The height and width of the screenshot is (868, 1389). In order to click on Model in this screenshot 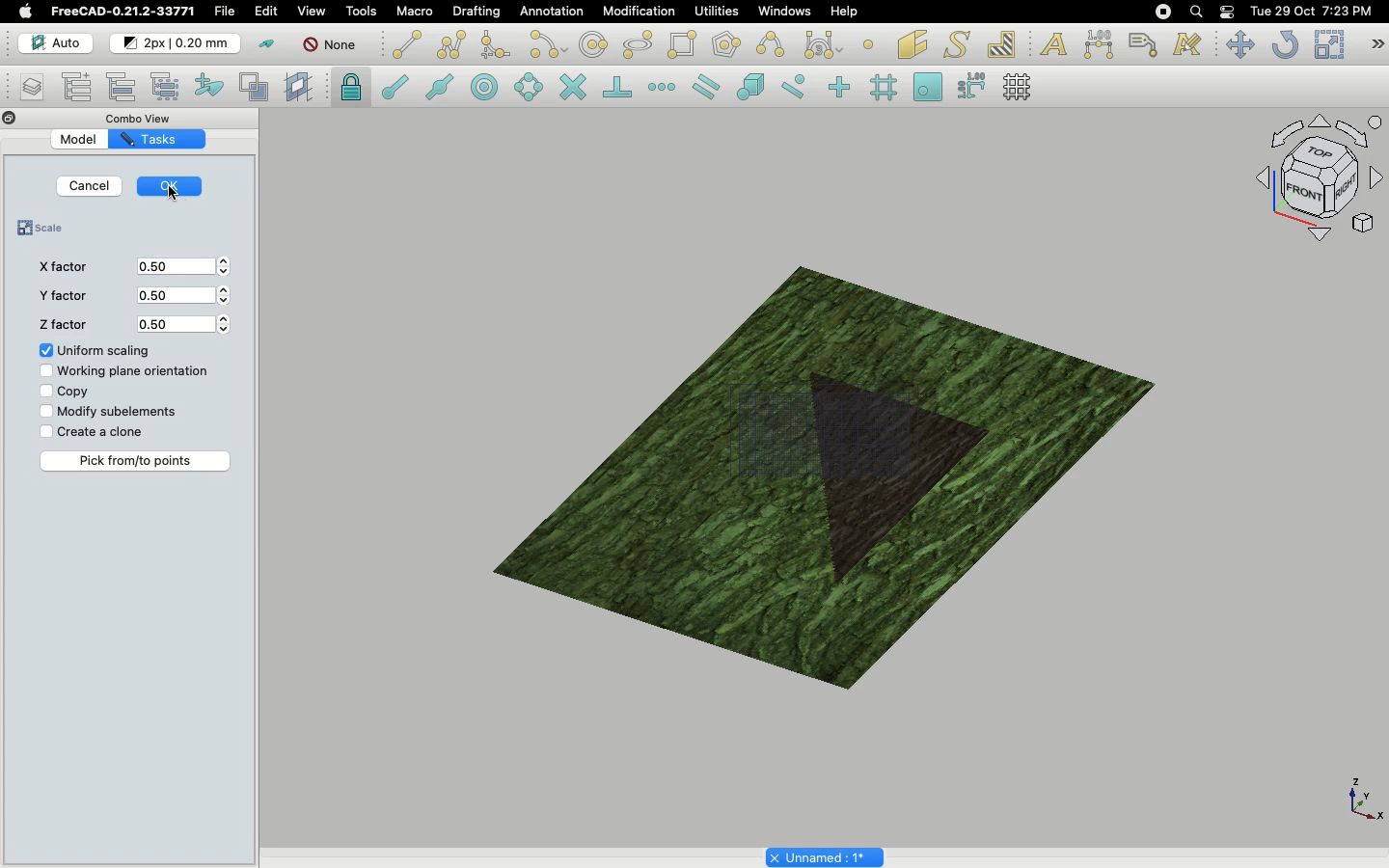, I will do `click(80, 140)`.